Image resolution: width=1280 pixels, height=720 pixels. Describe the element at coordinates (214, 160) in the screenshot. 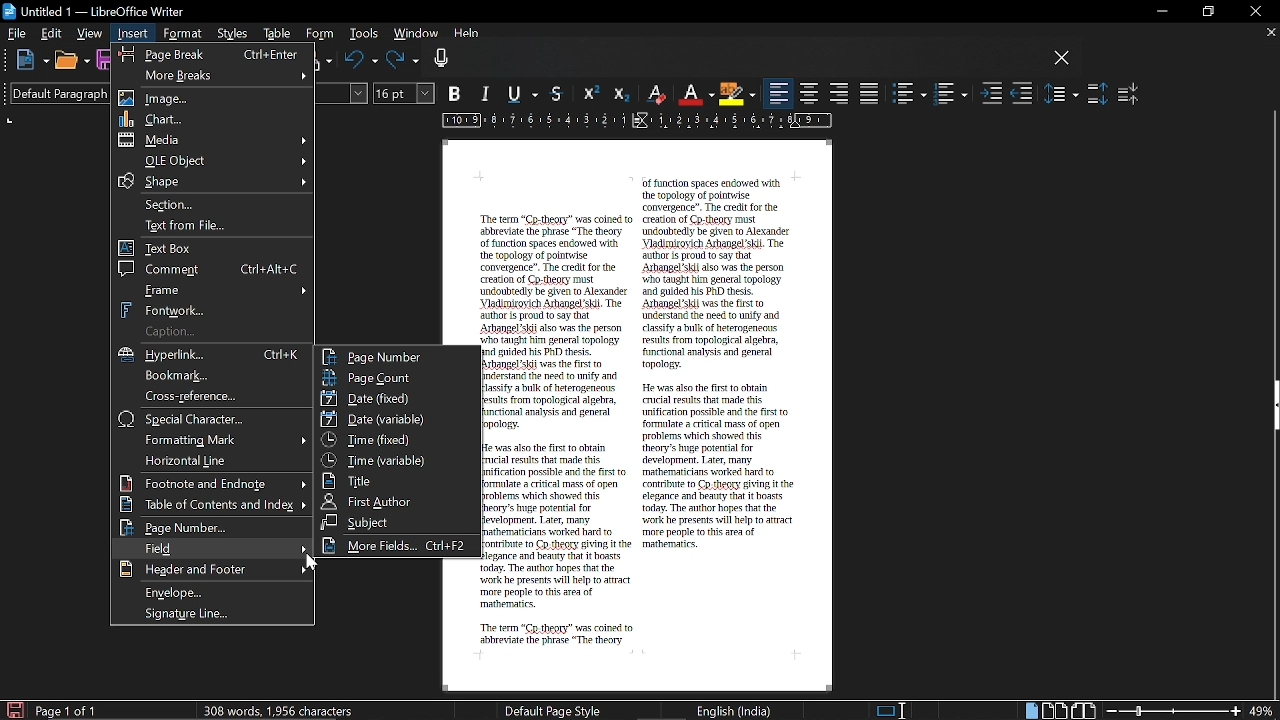

I see `OLE object` at that location.